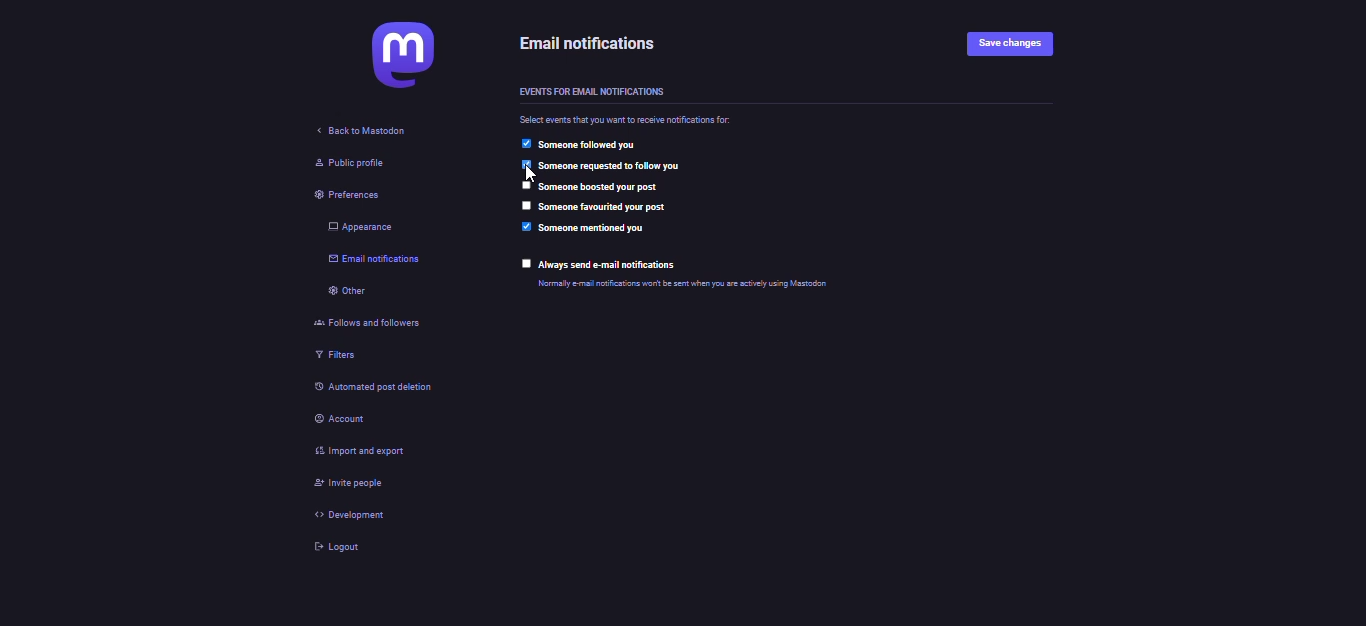  I want to click on import & export, so click(352, 448).